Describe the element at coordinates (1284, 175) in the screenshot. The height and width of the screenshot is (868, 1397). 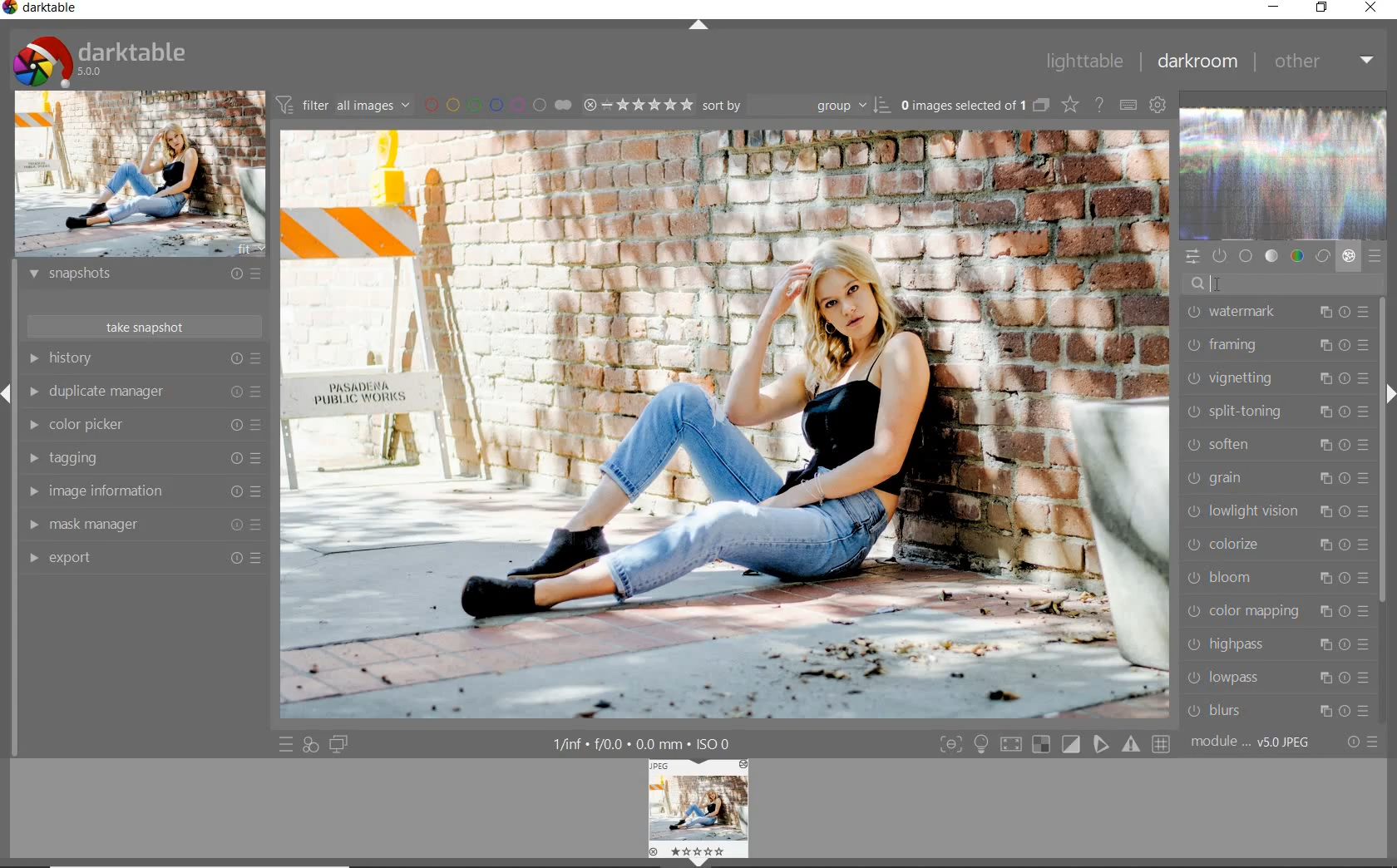
I see `waveform` at that location.